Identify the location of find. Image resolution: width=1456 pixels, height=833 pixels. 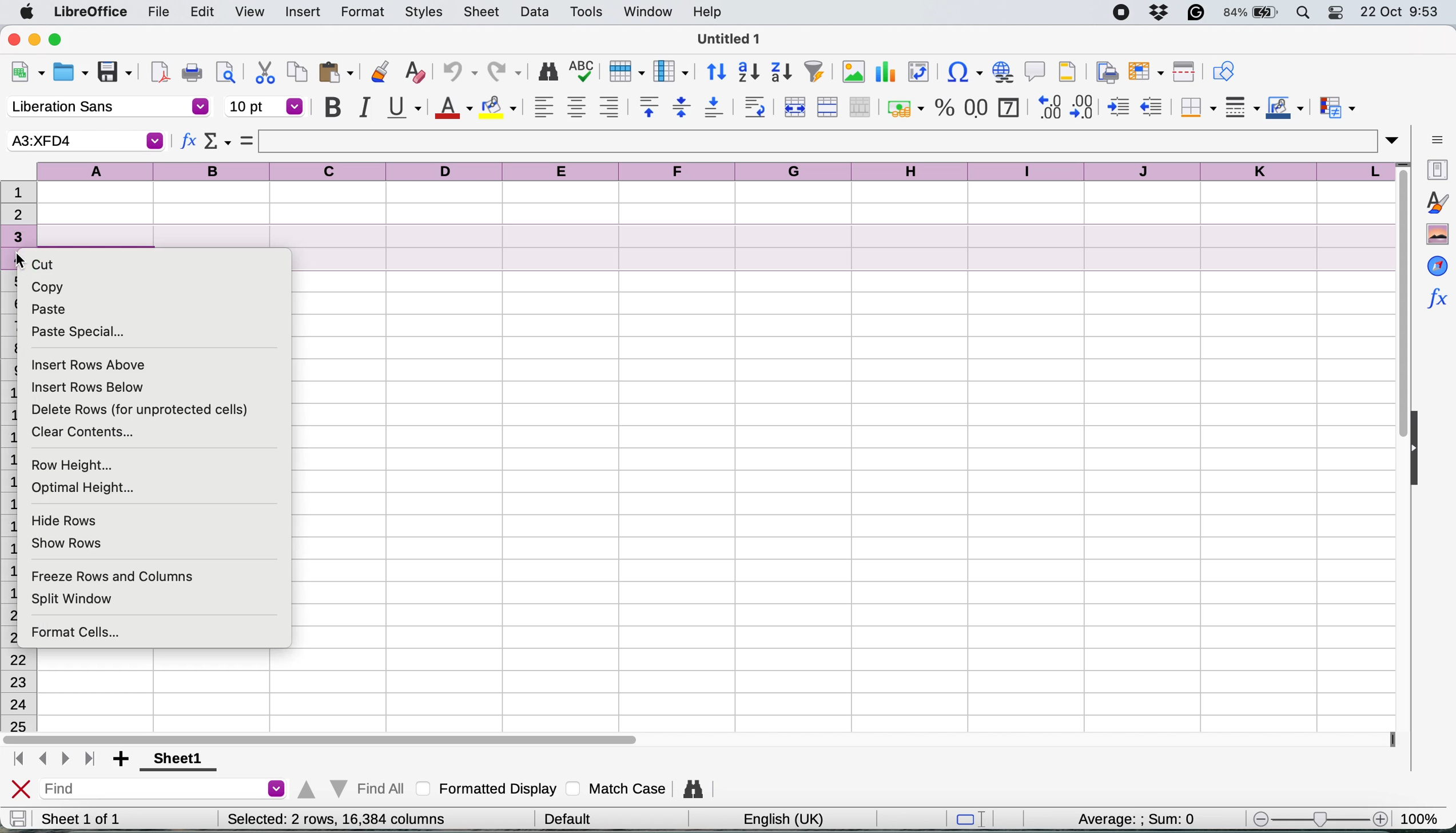
(166, 790).